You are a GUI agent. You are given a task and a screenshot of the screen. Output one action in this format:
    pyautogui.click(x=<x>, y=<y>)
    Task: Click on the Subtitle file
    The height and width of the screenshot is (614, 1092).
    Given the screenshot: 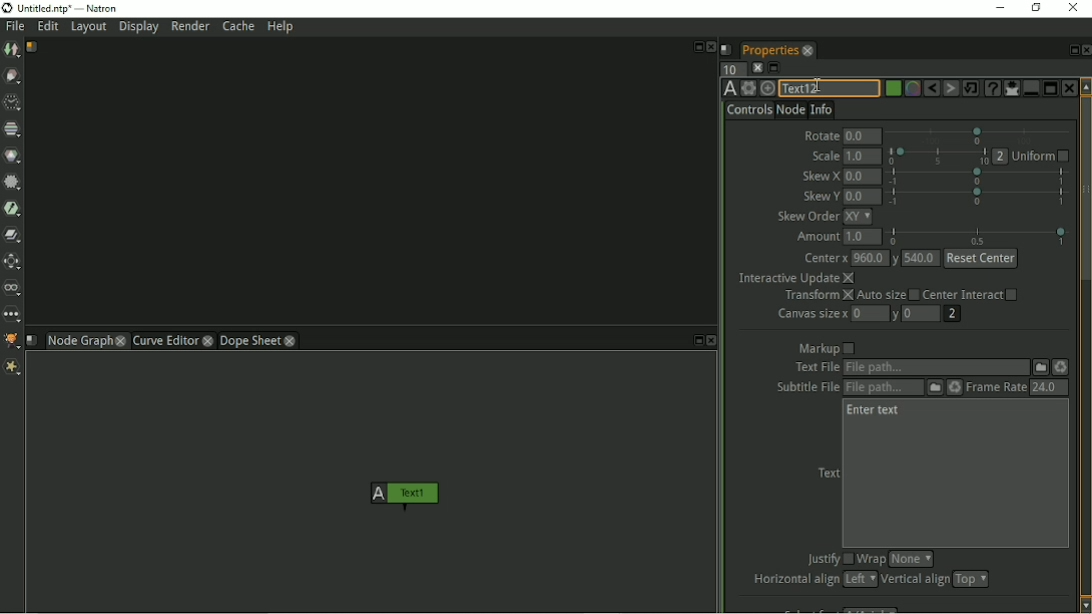 What is the action you would take?
    pyautogui.click(x=803, y=388)
    